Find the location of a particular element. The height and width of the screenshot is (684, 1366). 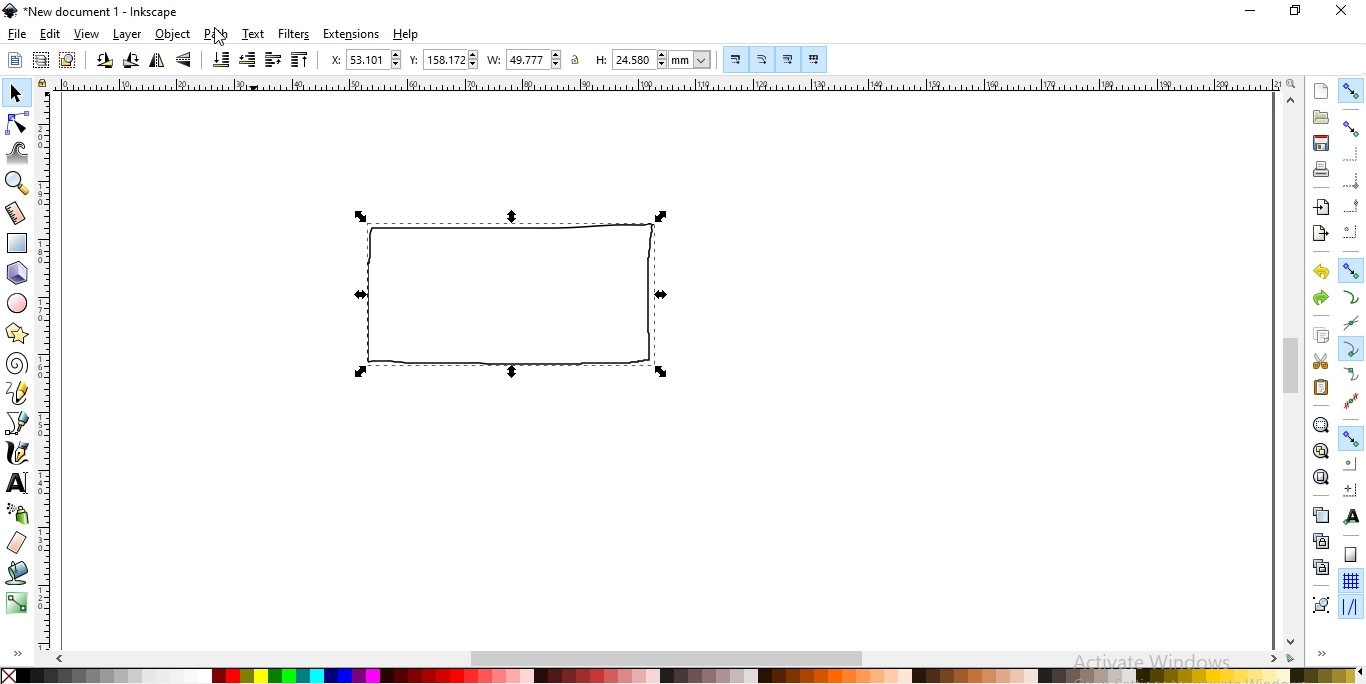

rotate selction 90 counter clockwise is located at coordinates (104, 61).